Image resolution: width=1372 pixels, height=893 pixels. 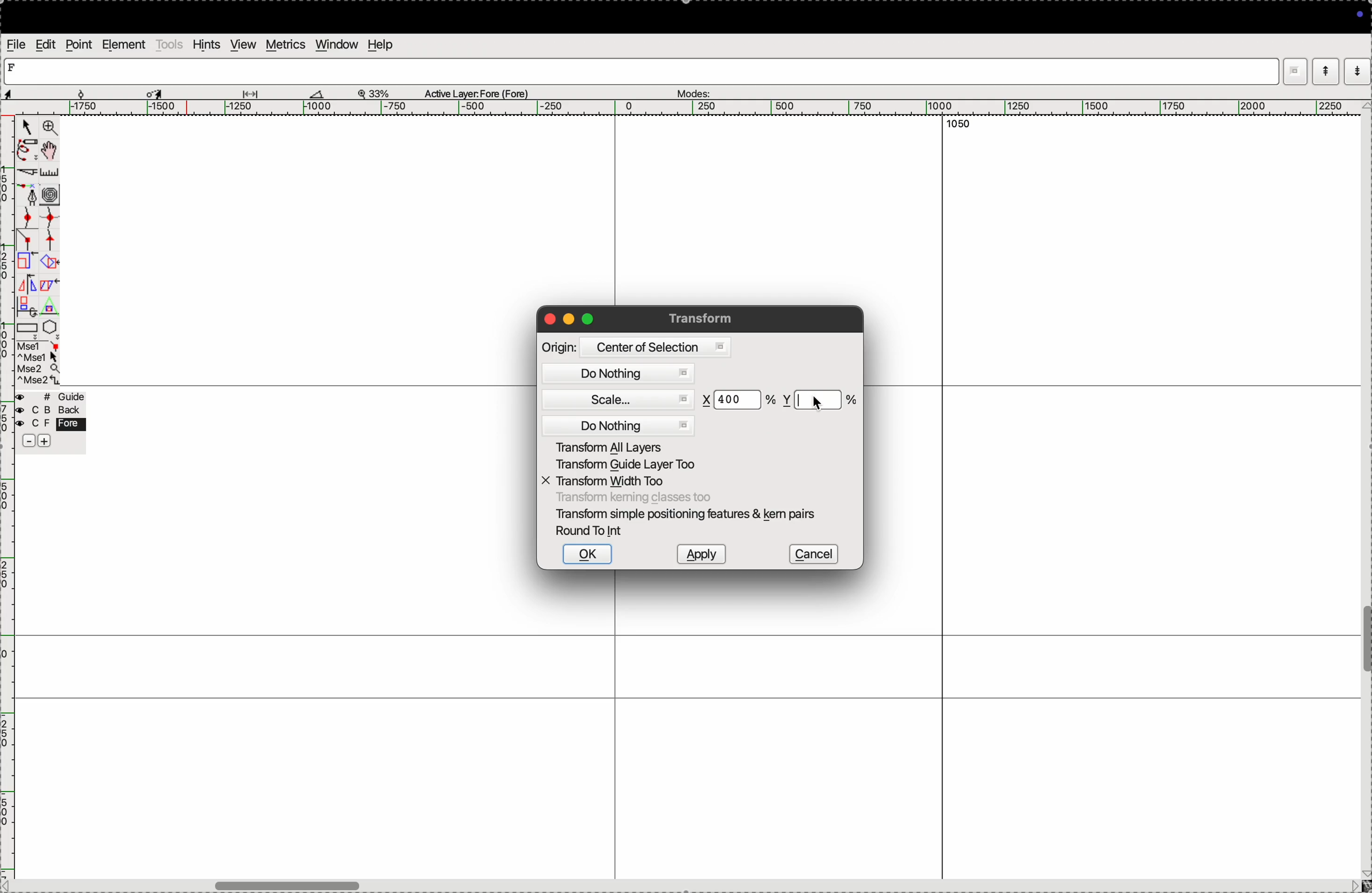 I want to click on cancel, so click(x=813, y=553).